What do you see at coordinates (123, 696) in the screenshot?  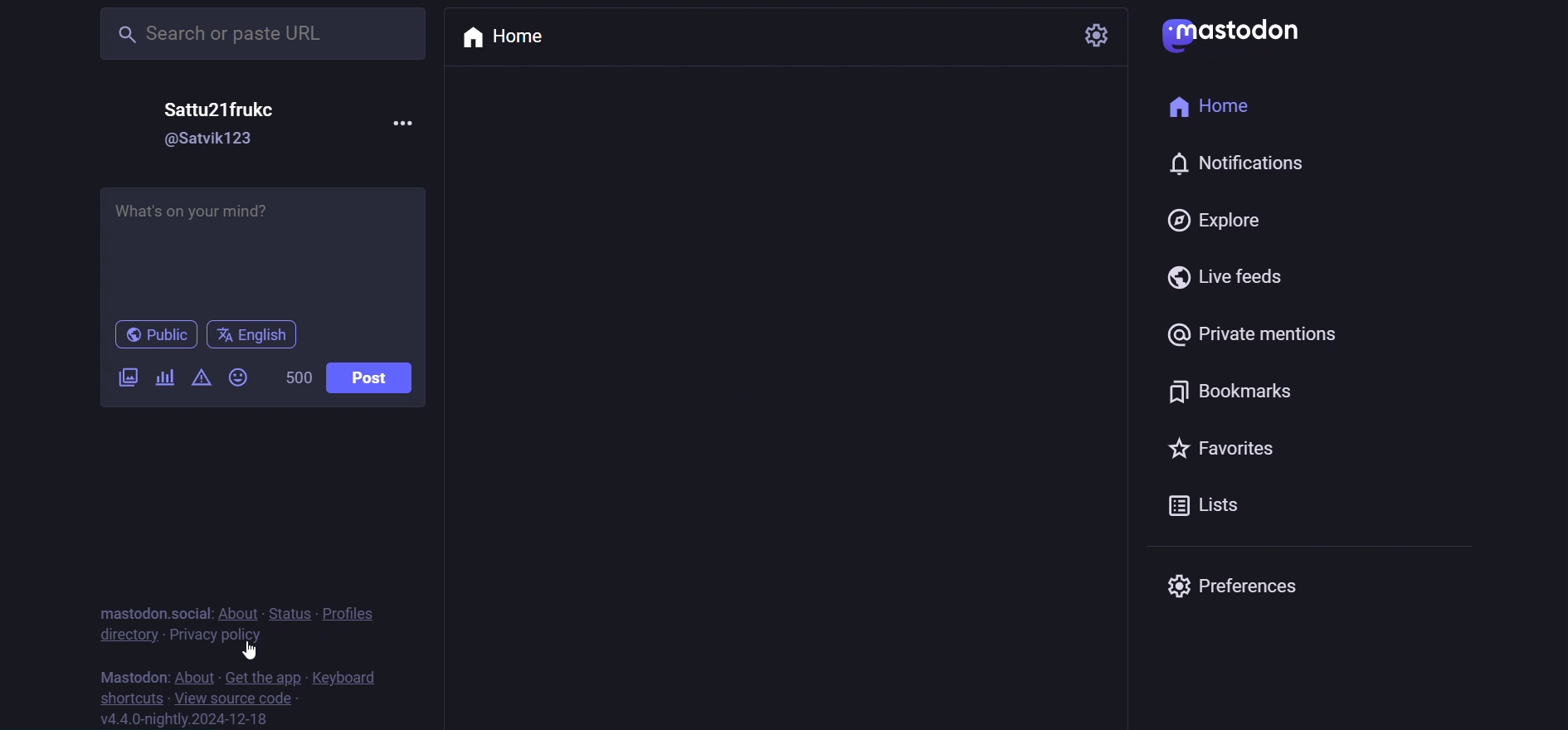 I see `shortcut` at bounding box center [123, 696].